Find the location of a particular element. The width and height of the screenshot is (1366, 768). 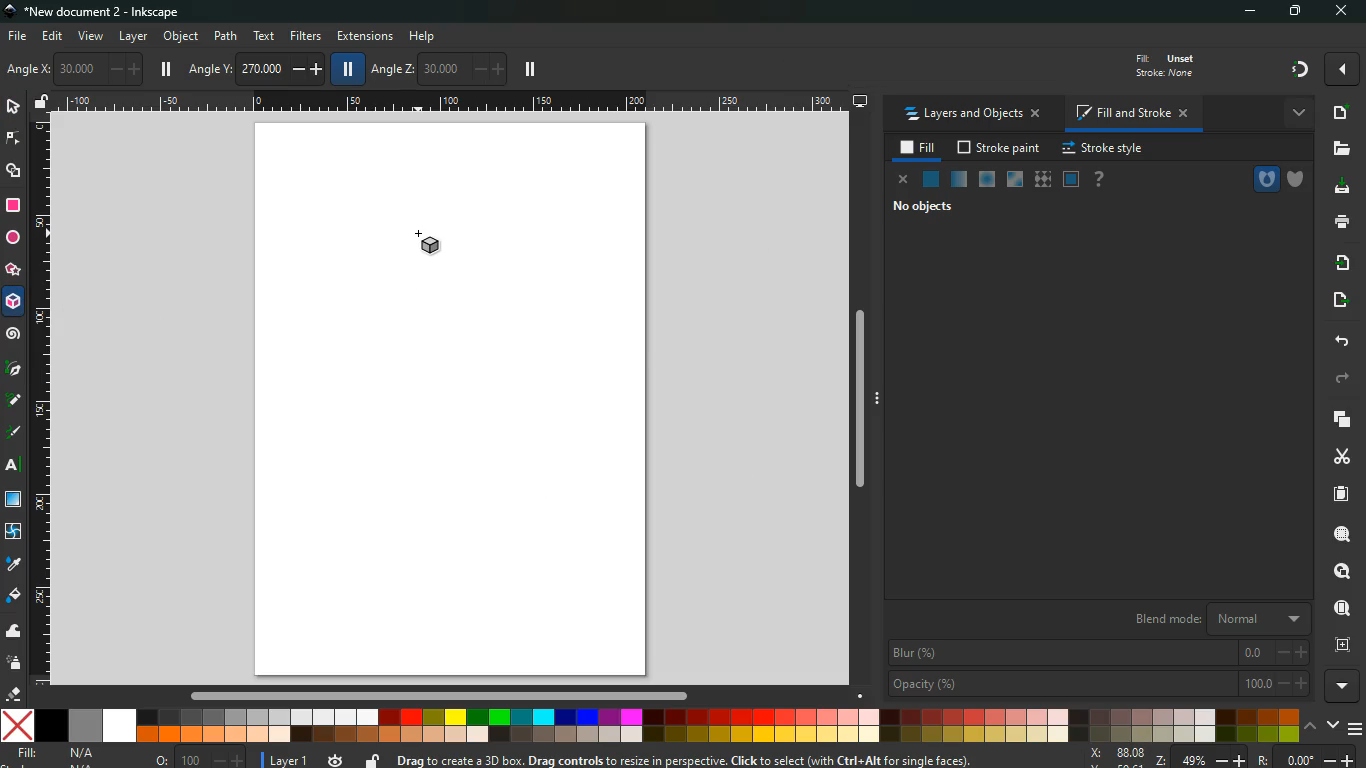

layer 1 is located at coordinates (290, 757).